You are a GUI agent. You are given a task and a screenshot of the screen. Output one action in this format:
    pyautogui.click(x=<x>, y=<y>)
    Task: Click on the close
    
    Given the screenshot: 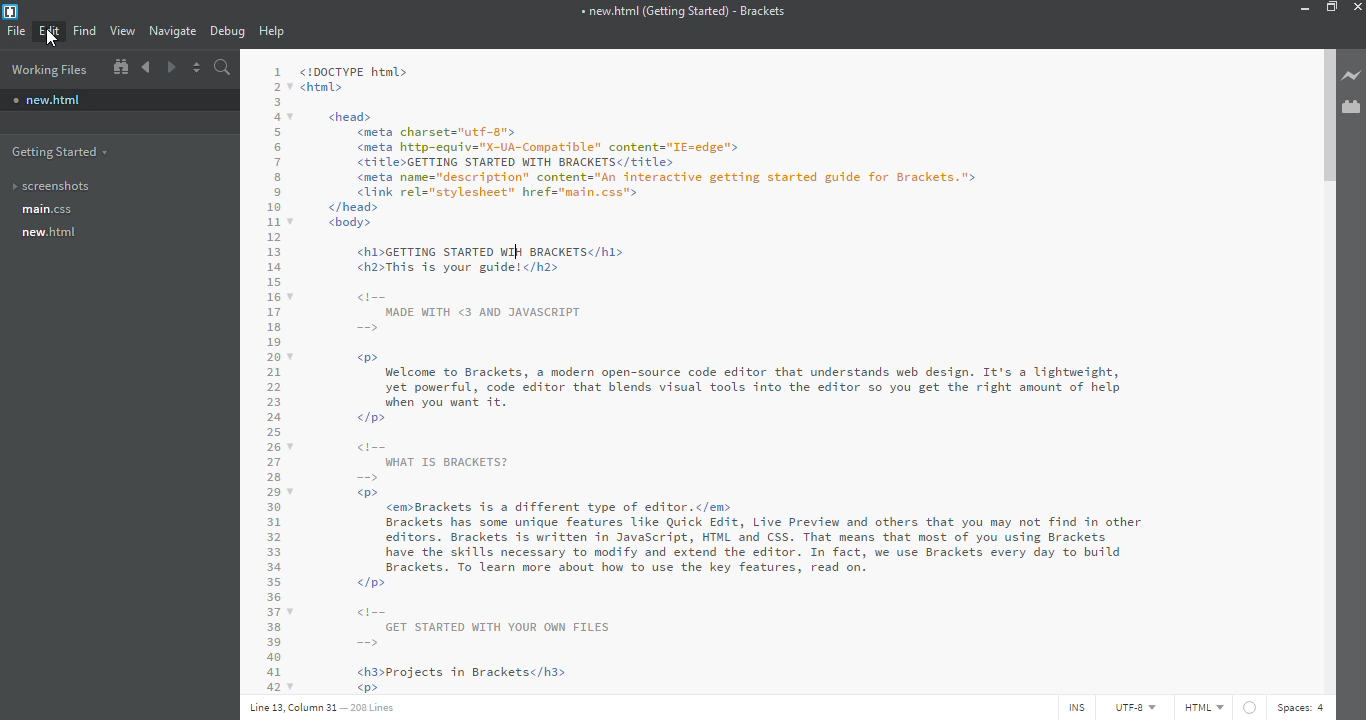 What is the action you would take?
    pyautogui.click(x=1360, y=6)
    